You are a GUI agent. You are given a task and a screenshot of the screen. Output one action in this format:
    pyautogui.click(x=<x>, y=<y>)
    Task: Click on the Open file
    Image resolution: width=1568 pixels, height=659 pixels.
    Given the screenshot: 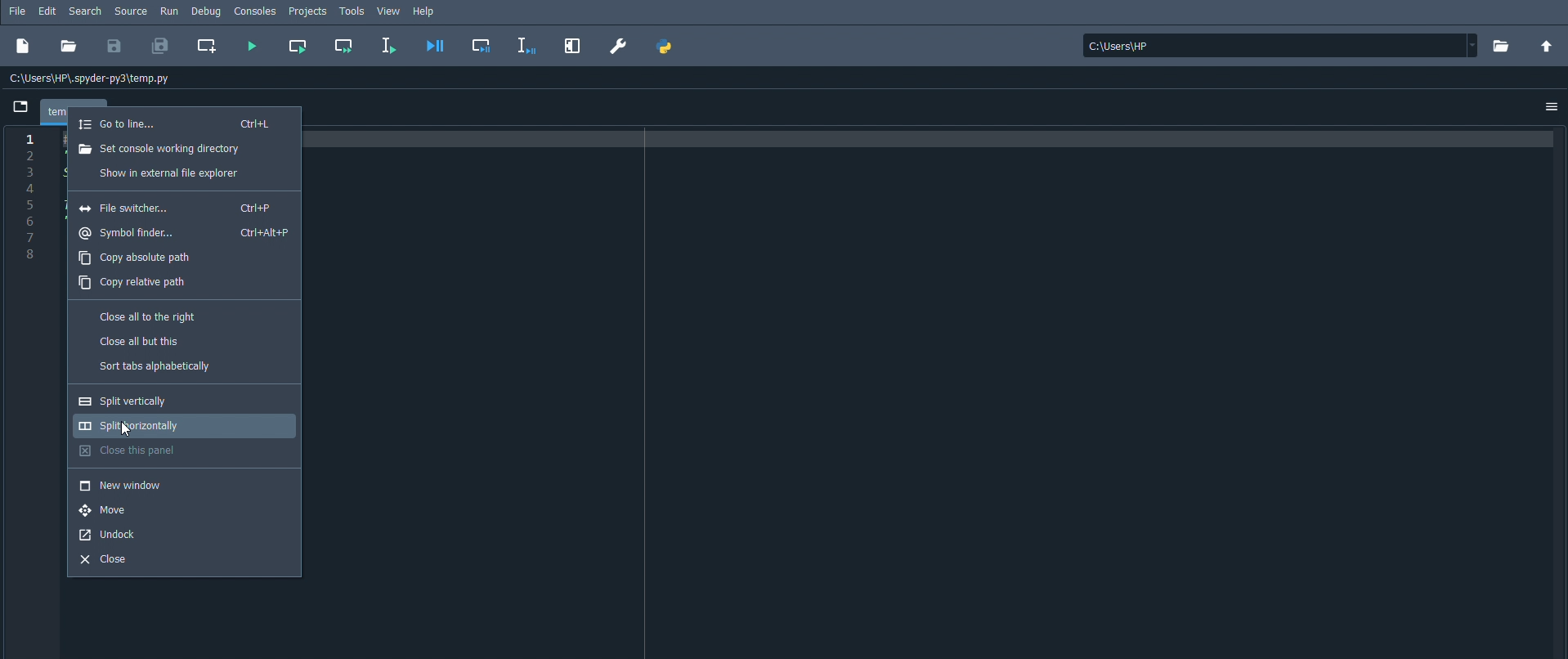 What is the action you would take?
    pyautogui.click(x=68, y=46)
    